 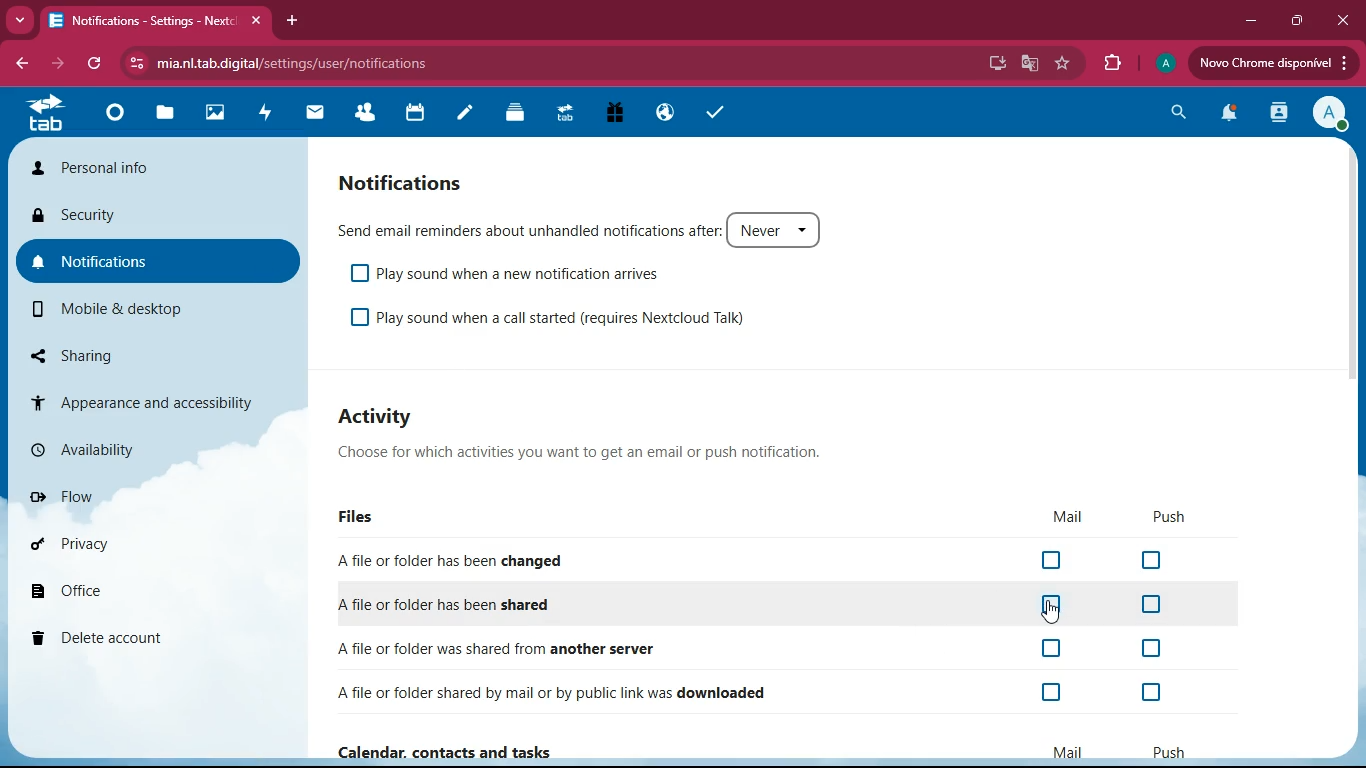 What do you see at coordinates (562, 116) in the screenshot?
I see `tab` at bounding box center [562, 116].